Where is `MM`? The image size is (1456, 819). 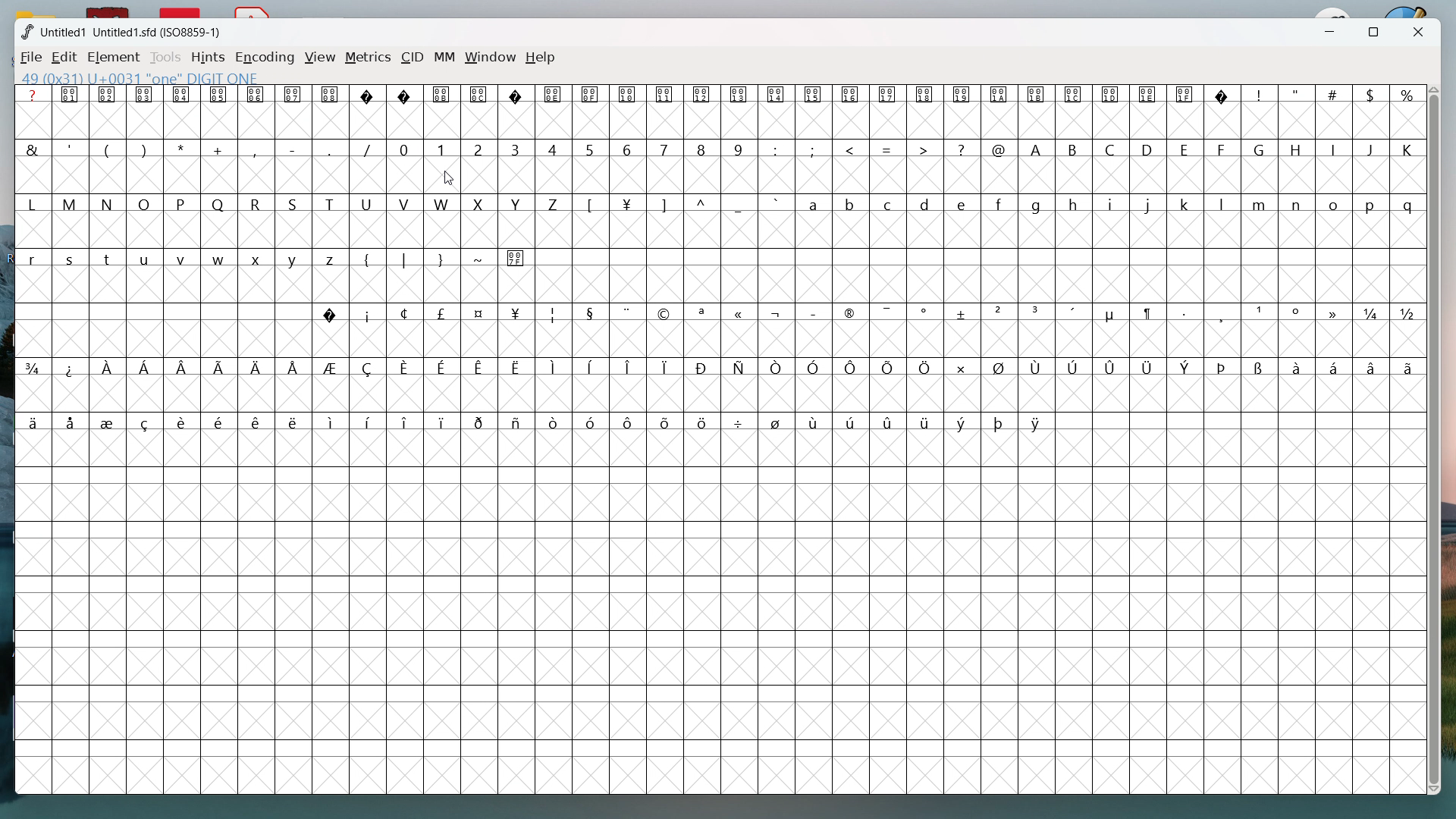
MM is located at coordinates (445, 58).